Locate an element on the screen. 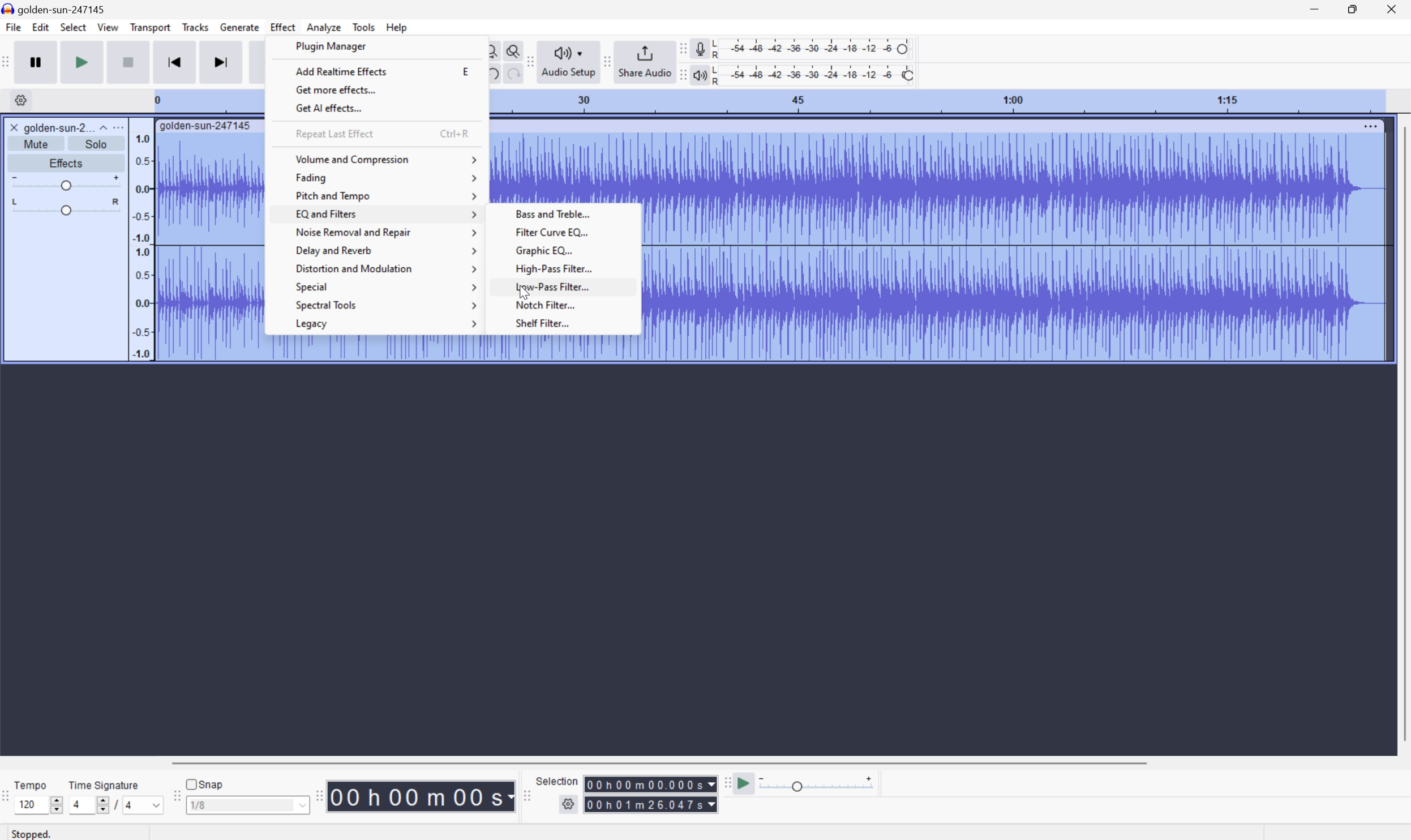  Playback meter is located at coordinates (700, 76).